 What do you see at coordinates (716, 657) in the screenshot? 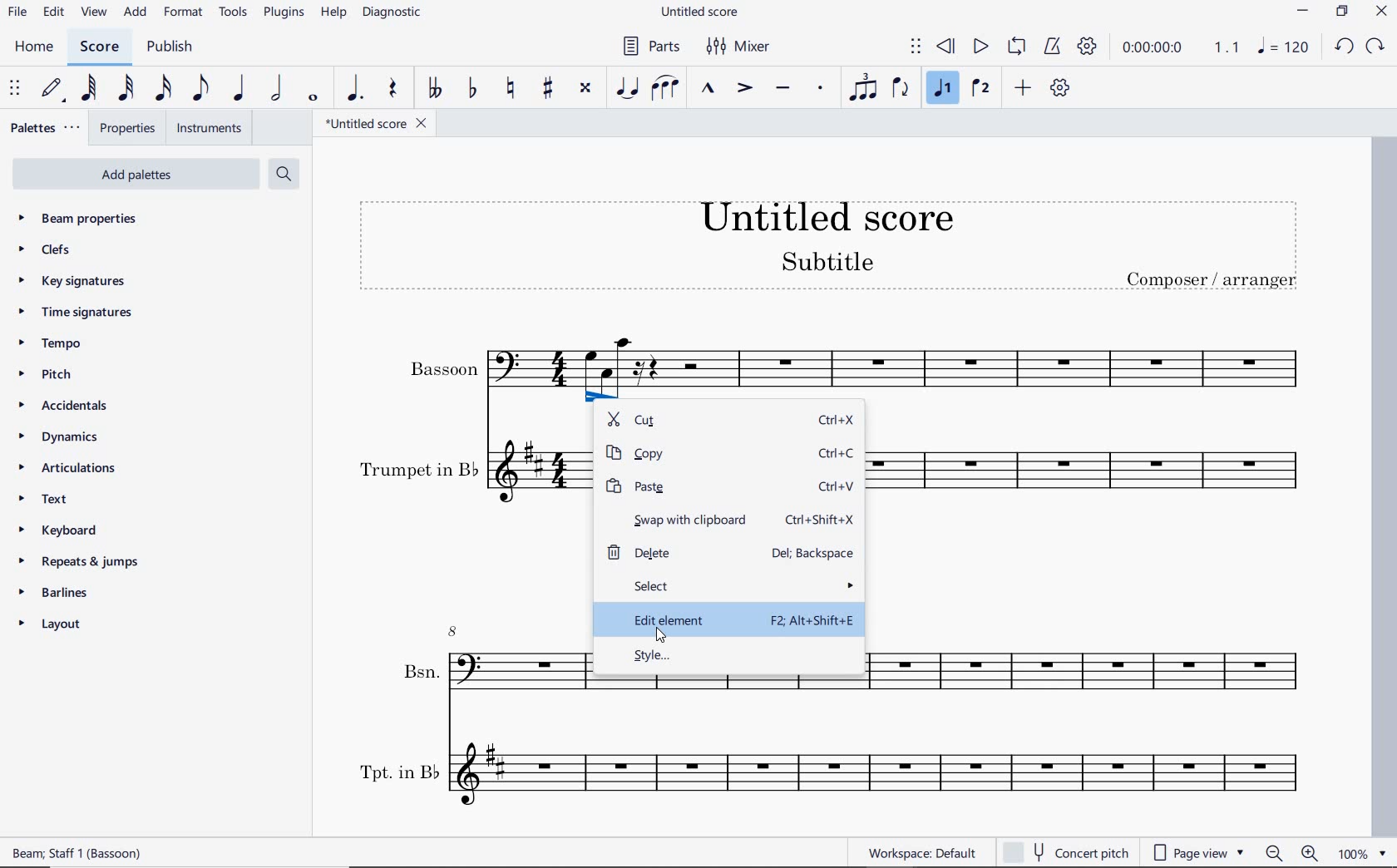
I see `style` at bounding box center [716, 657].